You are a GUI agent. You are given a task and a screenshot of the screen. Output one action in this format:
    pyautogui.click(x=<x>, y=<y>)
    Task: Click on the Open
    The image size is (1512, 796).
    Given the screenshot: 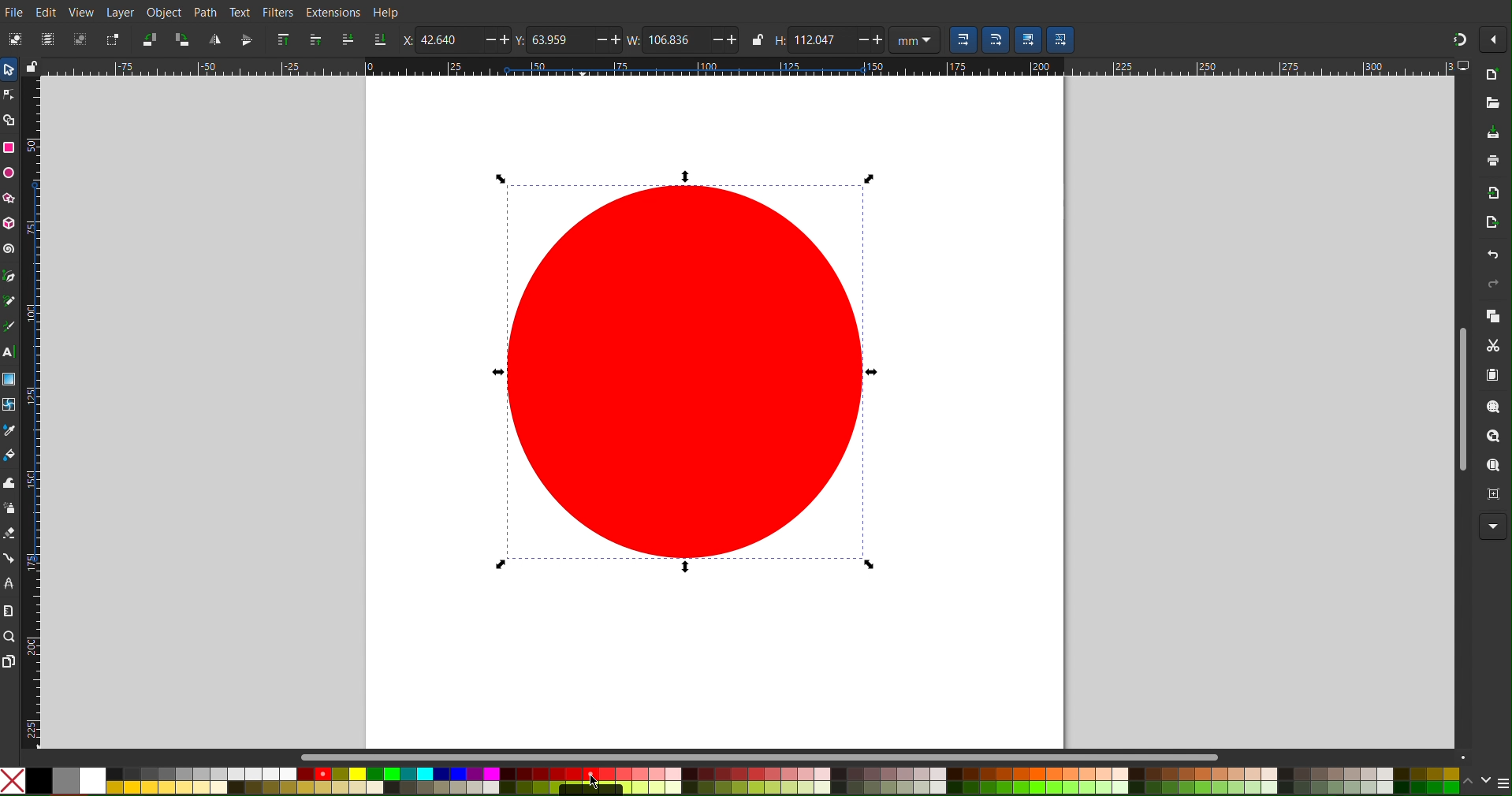 What is the action you would take?
    pyautogui.click(x=1492, y=104)
    